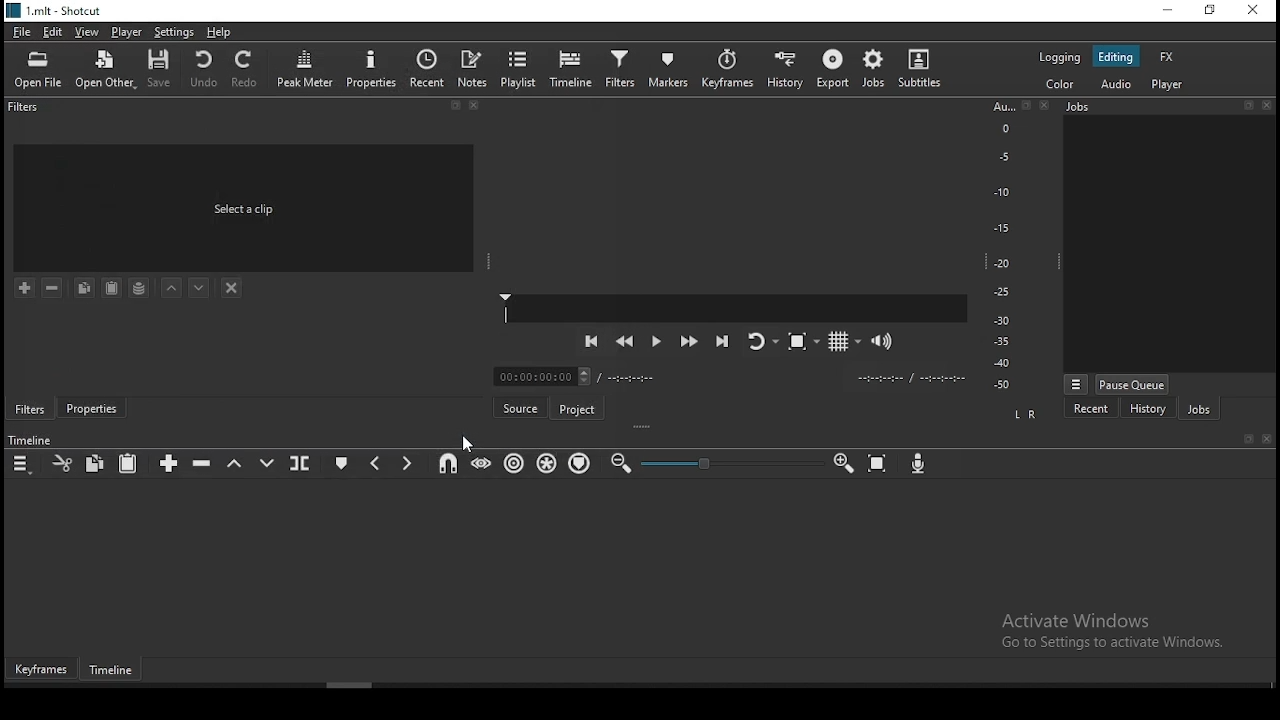  What do you see at coordinates (173, 290) in the screenshot?
I see `up` at bounding box center [173, 290].